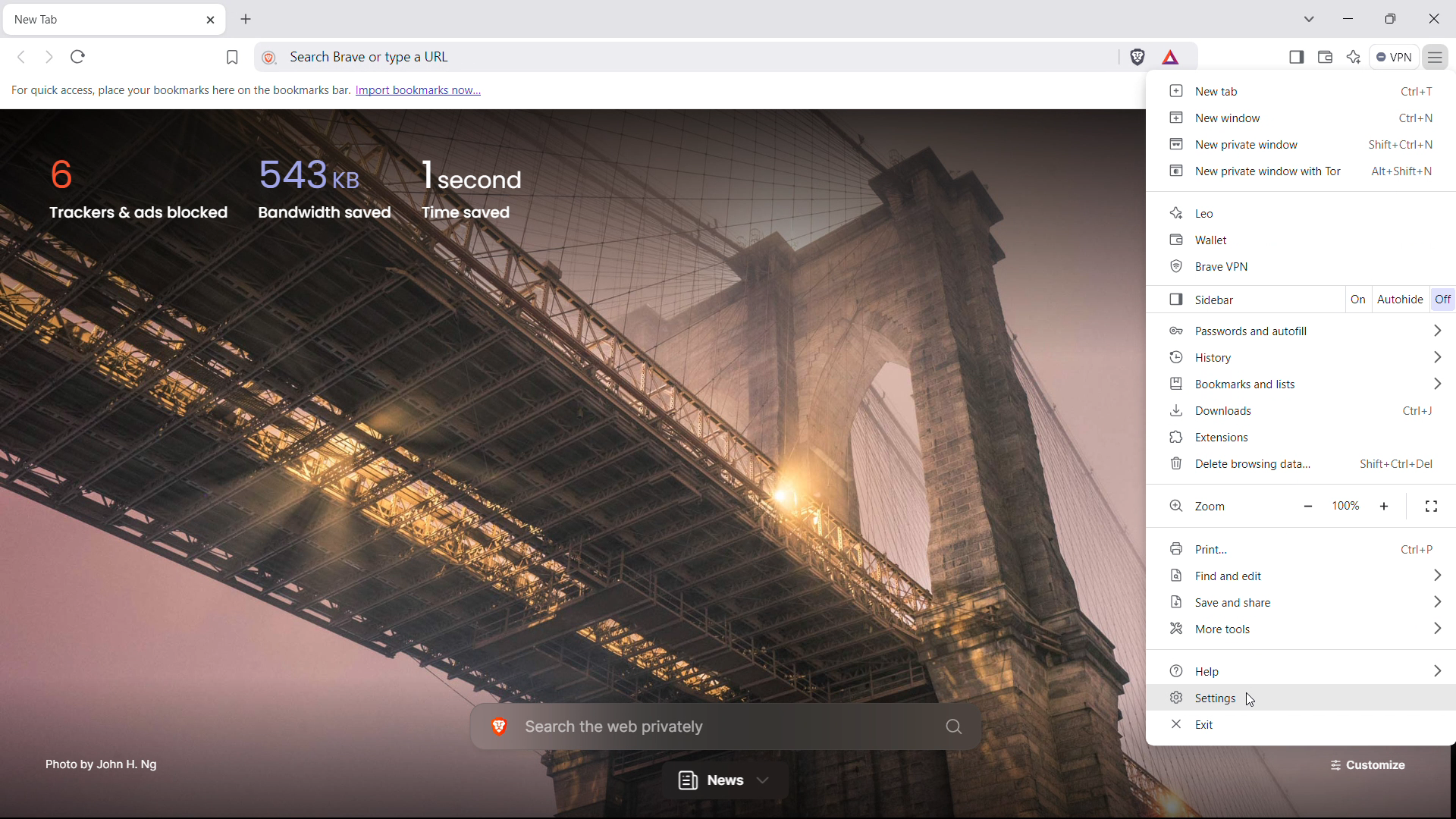  Describe the element at coordinates (1431, 503) in the screenshot. I see `fullscreen` at that location.